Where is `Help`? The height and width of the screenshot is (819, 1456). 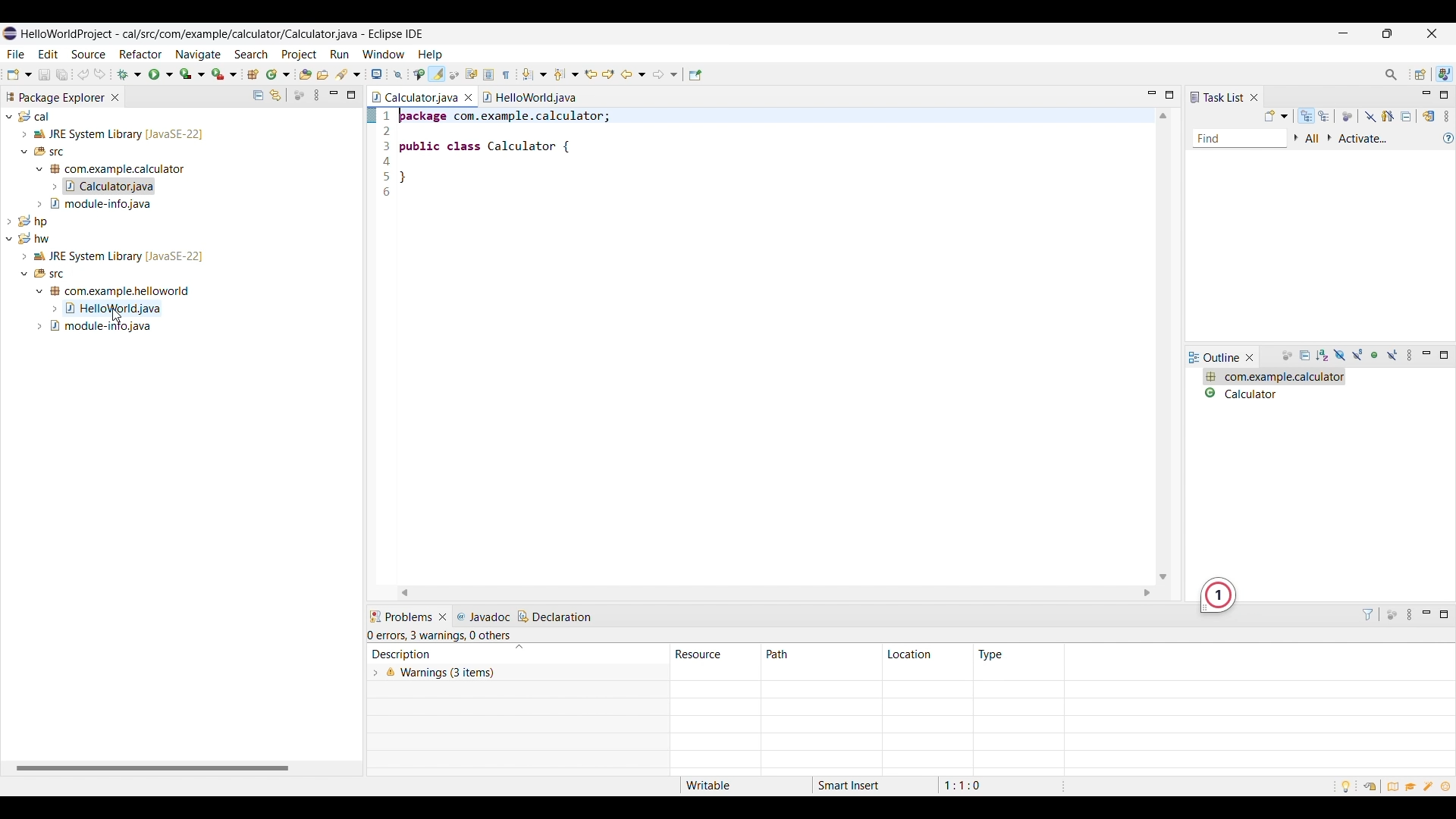 Help is located at coordinates (431, 55).